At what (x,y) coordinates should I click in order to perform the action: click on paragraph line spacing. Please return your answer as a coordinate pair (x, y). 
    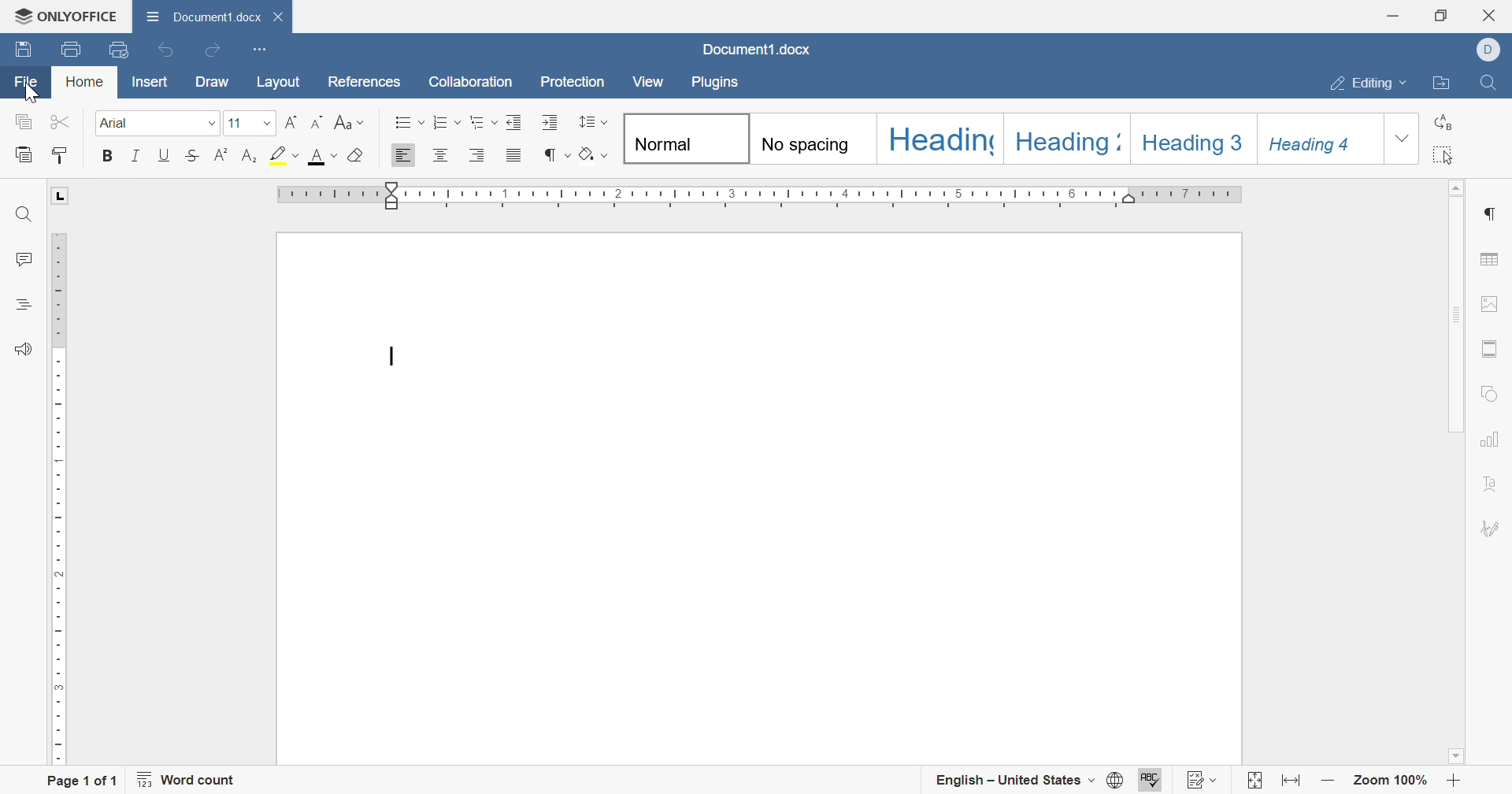
    Looking at the image, I should click on (591, 123).